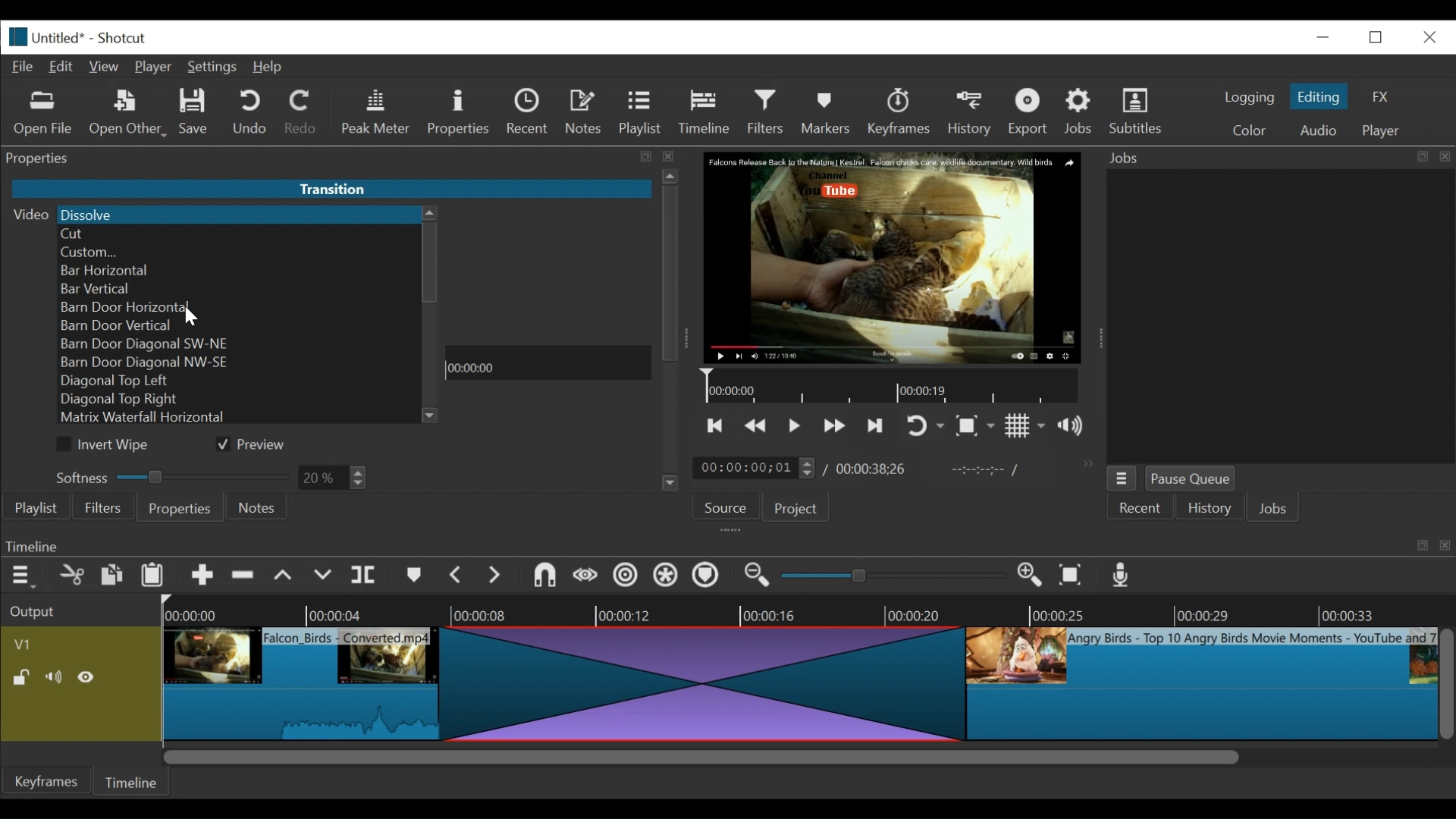  Describe the element at coordinates (1275, 510) in the screenshot. I see `JOBS` at that location.